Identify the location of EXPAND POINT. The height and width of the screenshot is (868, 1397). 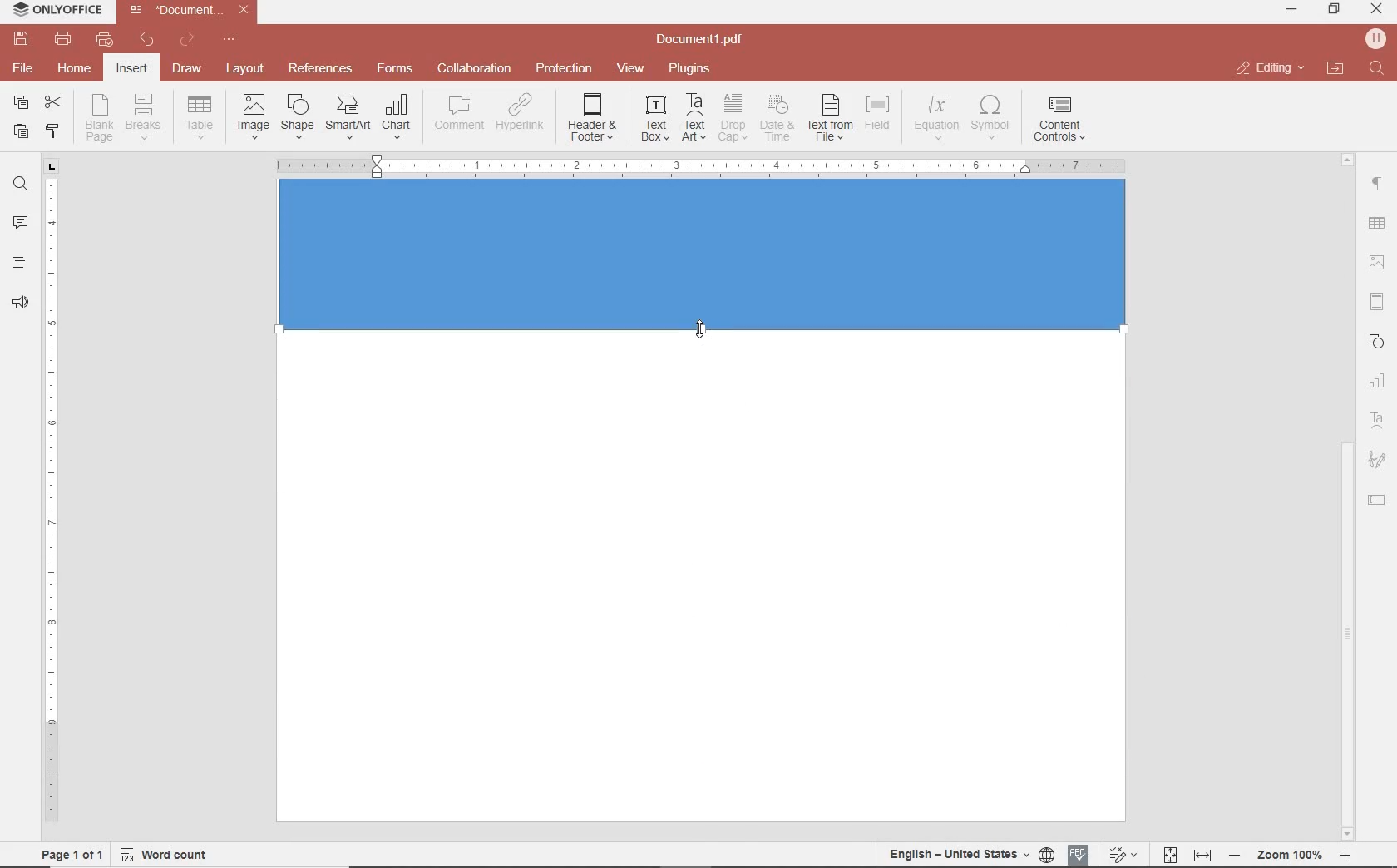
(698, 330).